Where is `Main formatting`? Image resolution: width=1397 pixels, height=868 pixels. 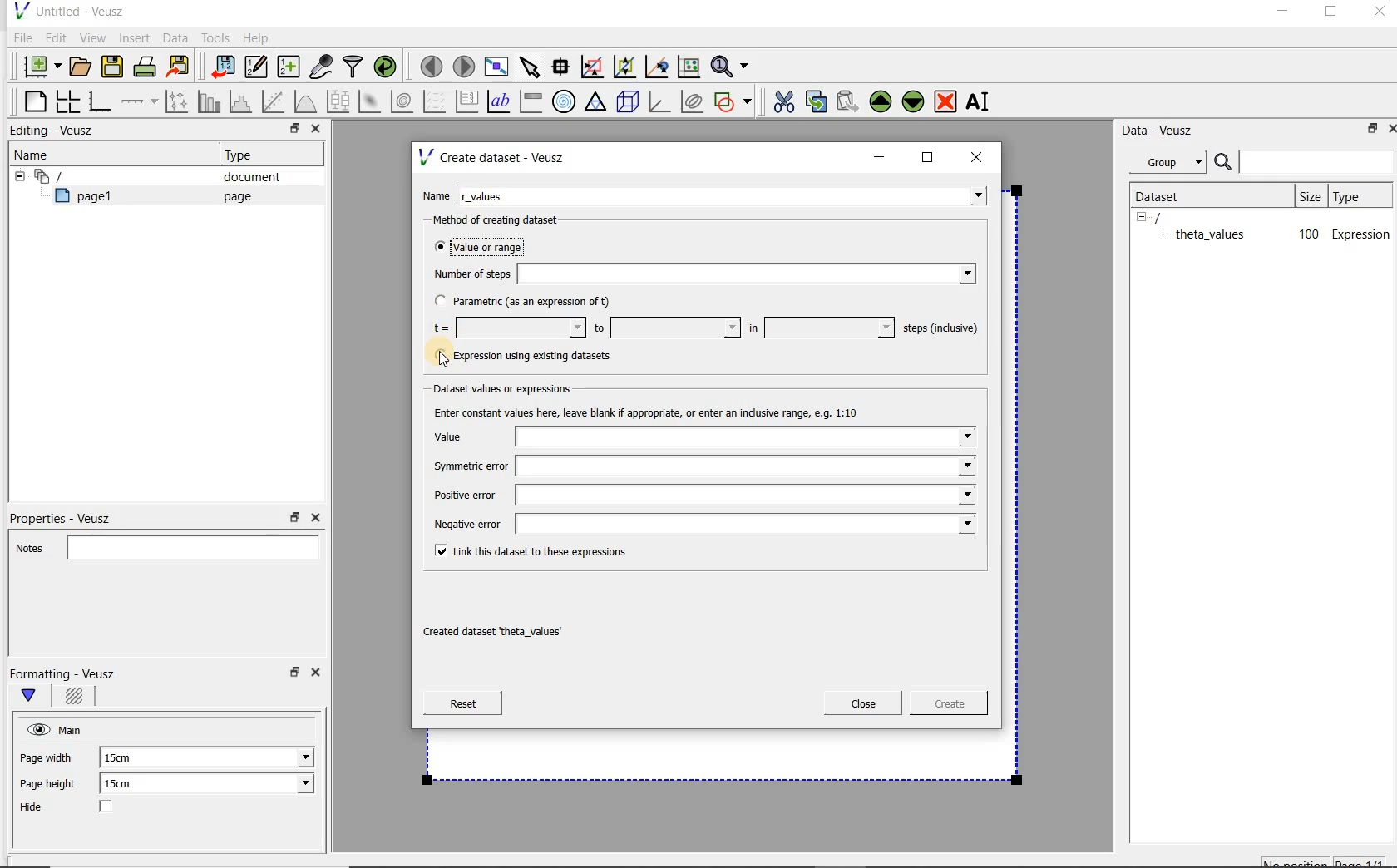 Main formatting is located at coordinates (36, 697).